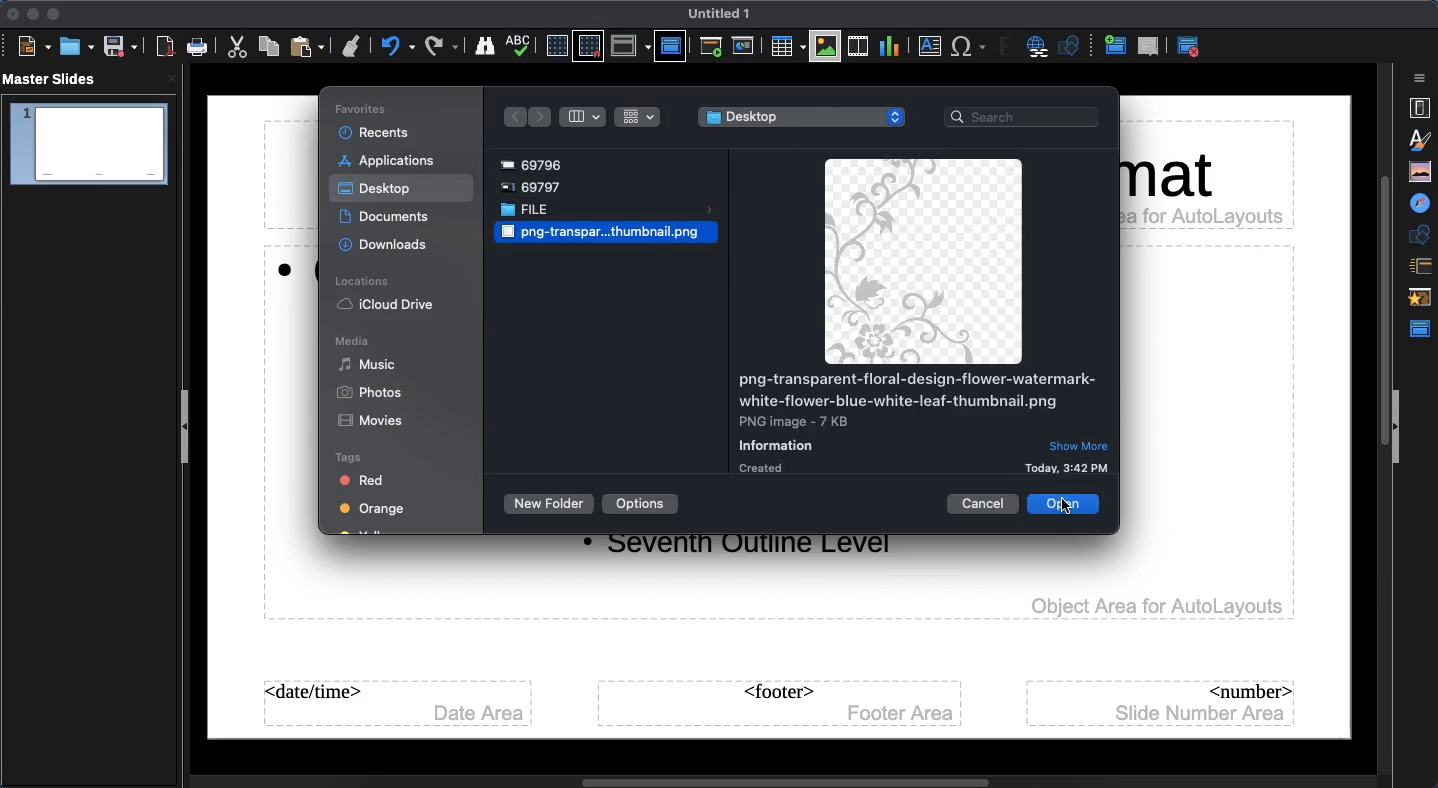 The image size is (1438, 788). Describe the element at coordinates (371, 512) in the screenshot. I see `orange` at that location.